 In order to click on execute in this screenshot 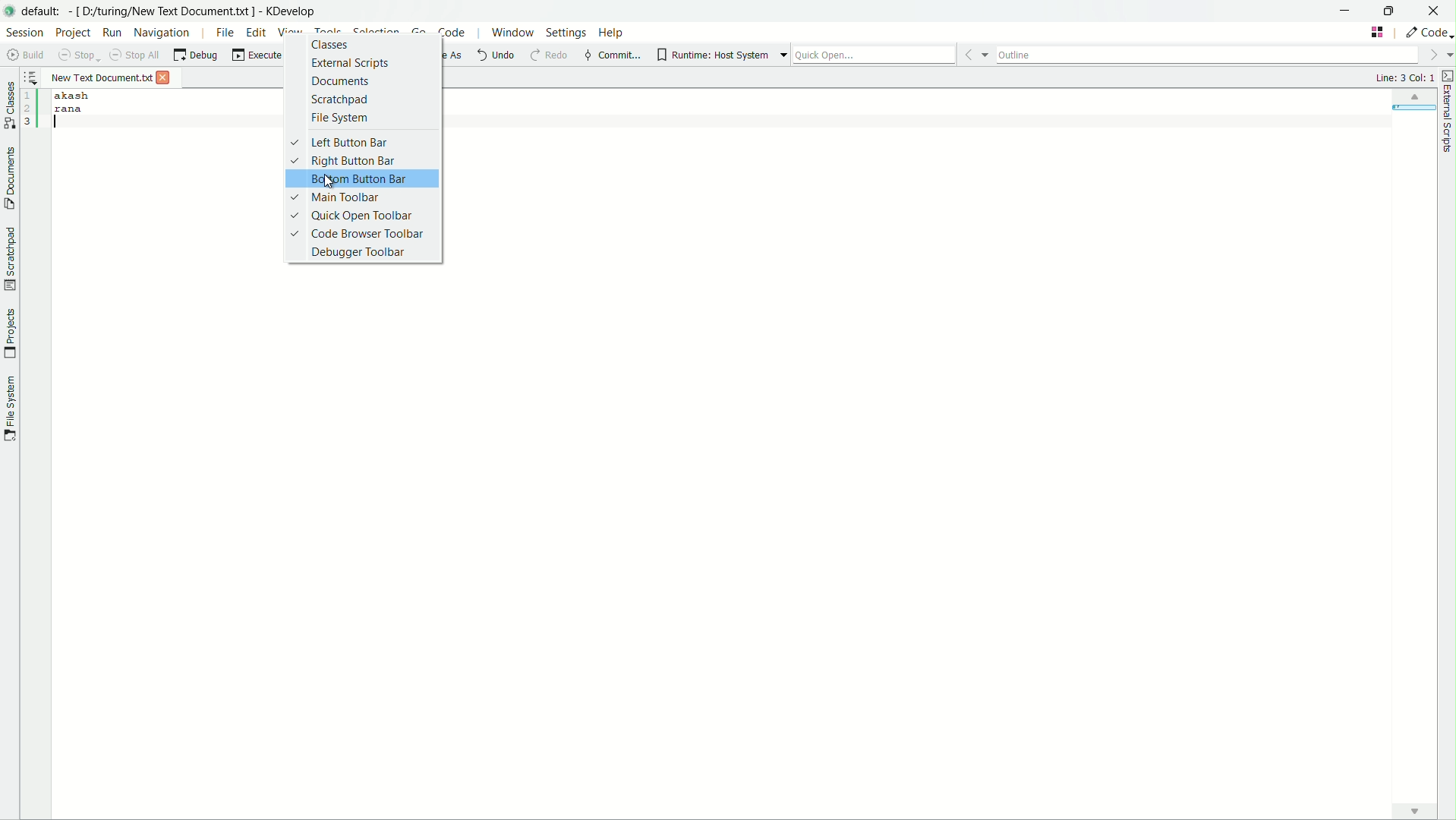, I will do `click(266, 55)`.